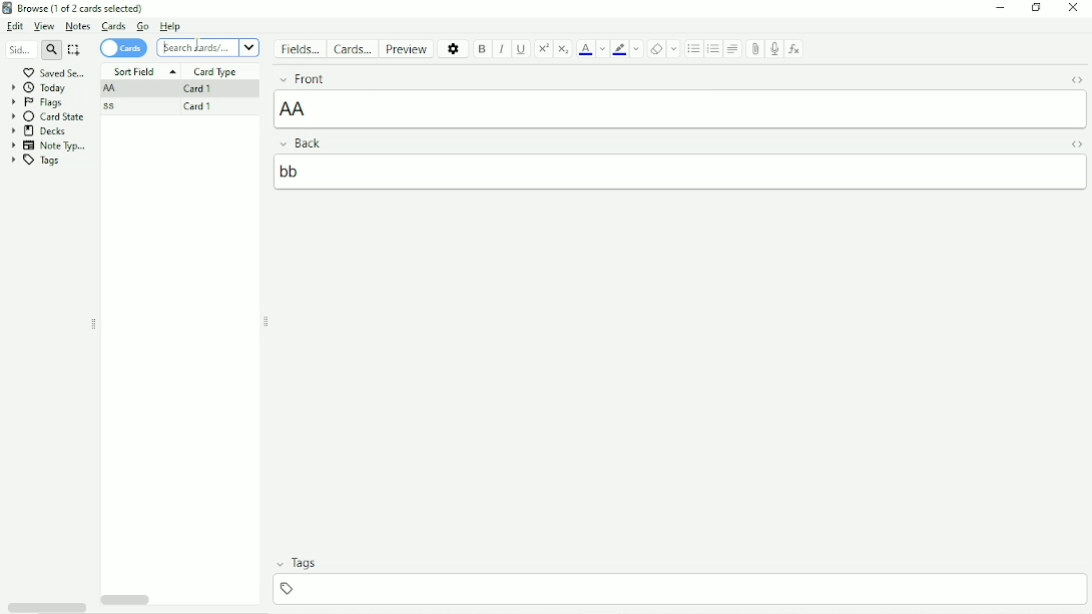 The height and width of the screenshot is (614, 1092). What do you see at coordinates (795, 48) in the screenshot?
I see `Equations` at bounding box center [795, 48].